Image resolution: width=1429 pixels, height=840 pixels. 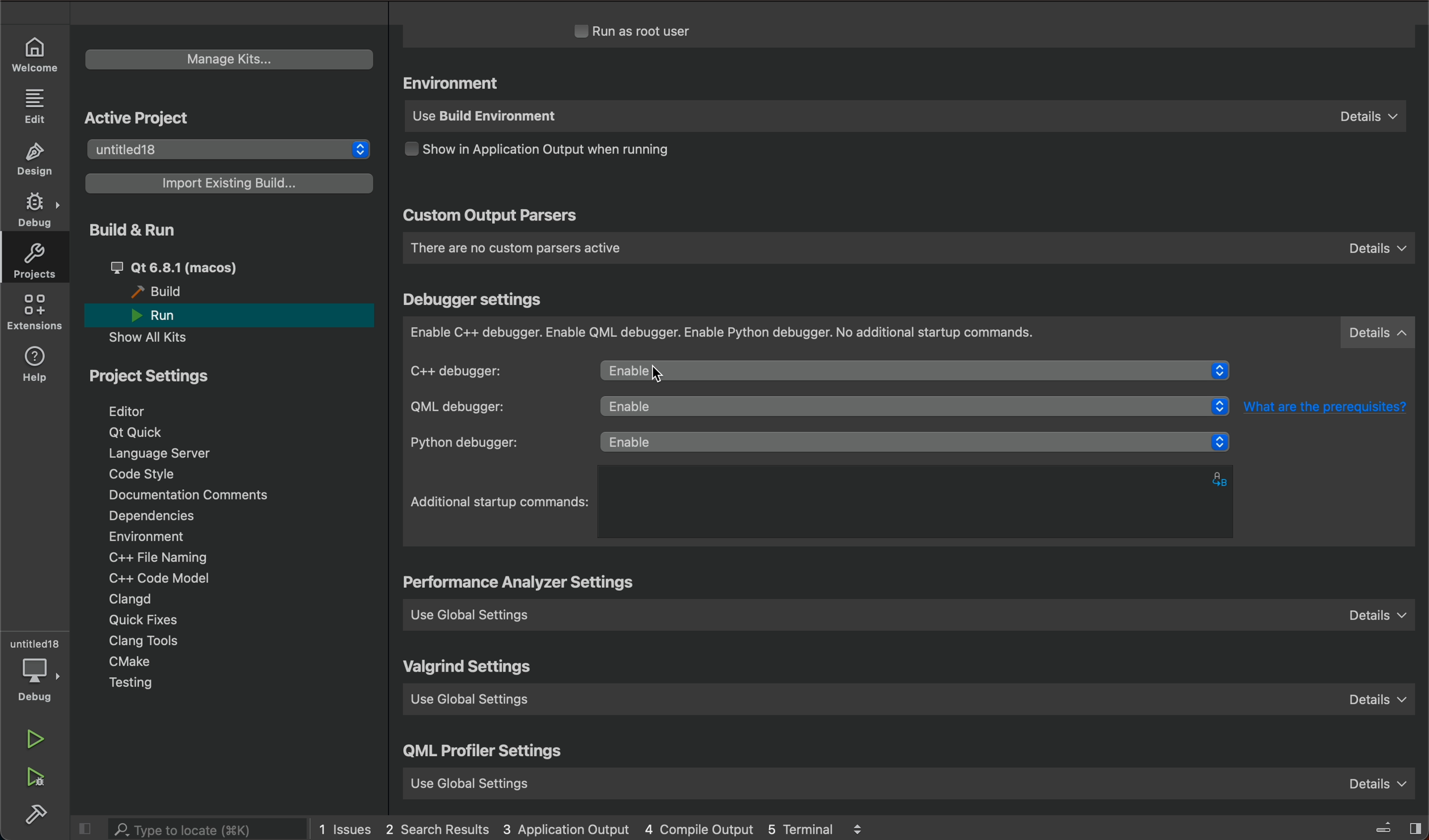 What do you see at coordinates (455, 84) in the screenshot?
I see `environment` at bounding box center [455, 84].